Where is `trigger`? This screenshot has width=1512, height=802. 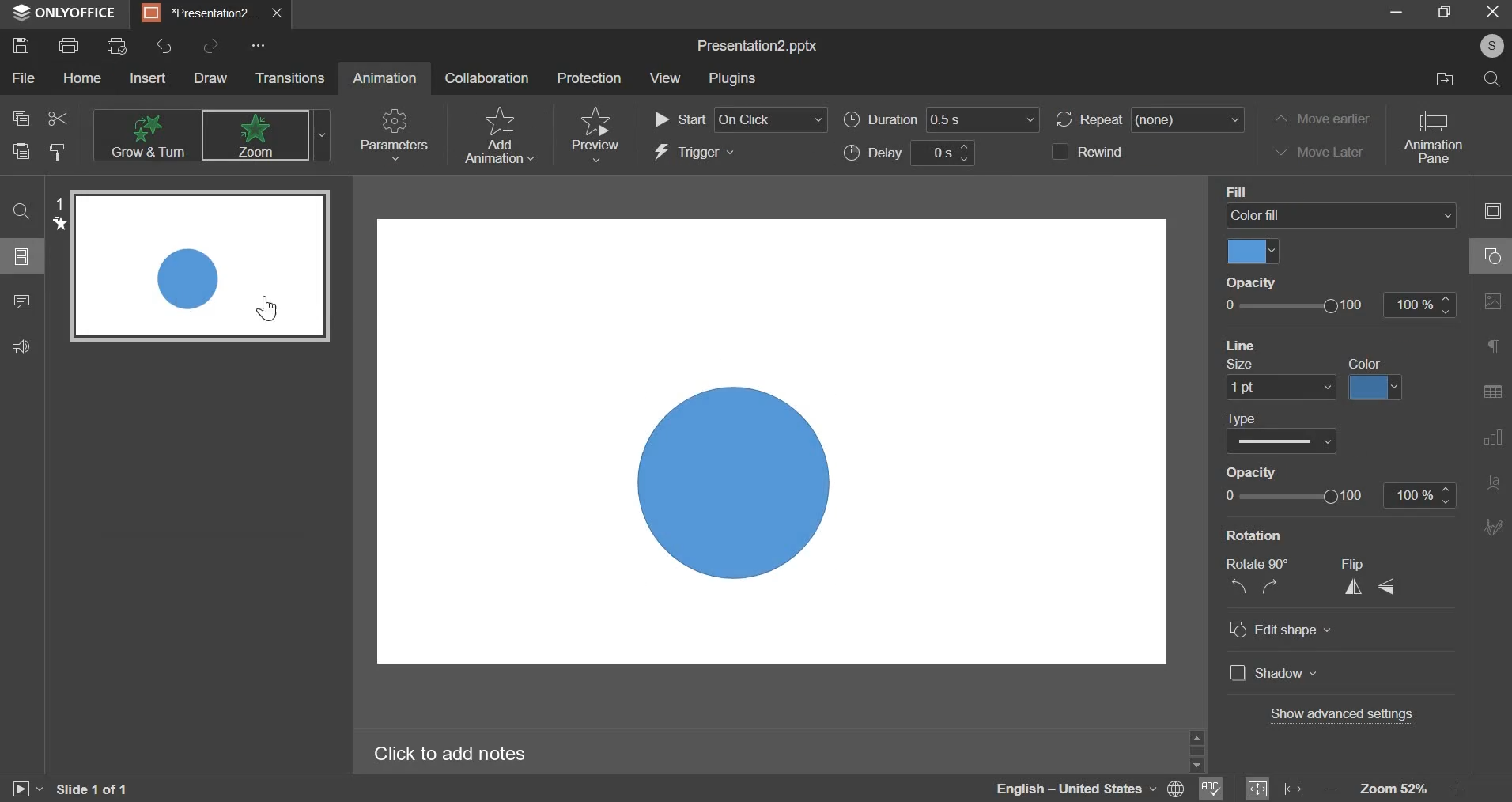
trigger is located at coordinates (694, 153).